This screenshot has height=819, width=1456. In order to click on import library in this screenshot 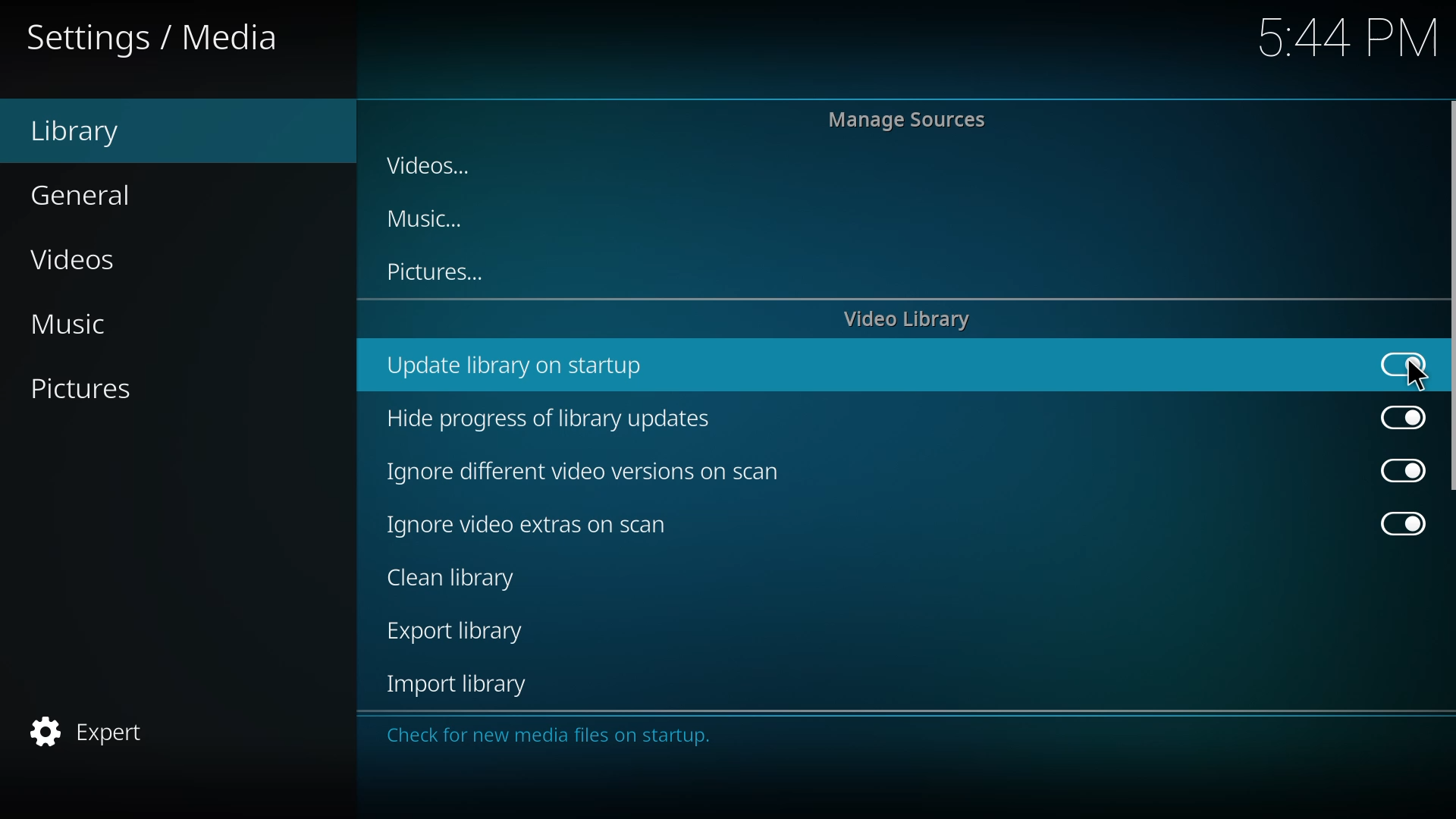, I will do `click(460, 682)`.